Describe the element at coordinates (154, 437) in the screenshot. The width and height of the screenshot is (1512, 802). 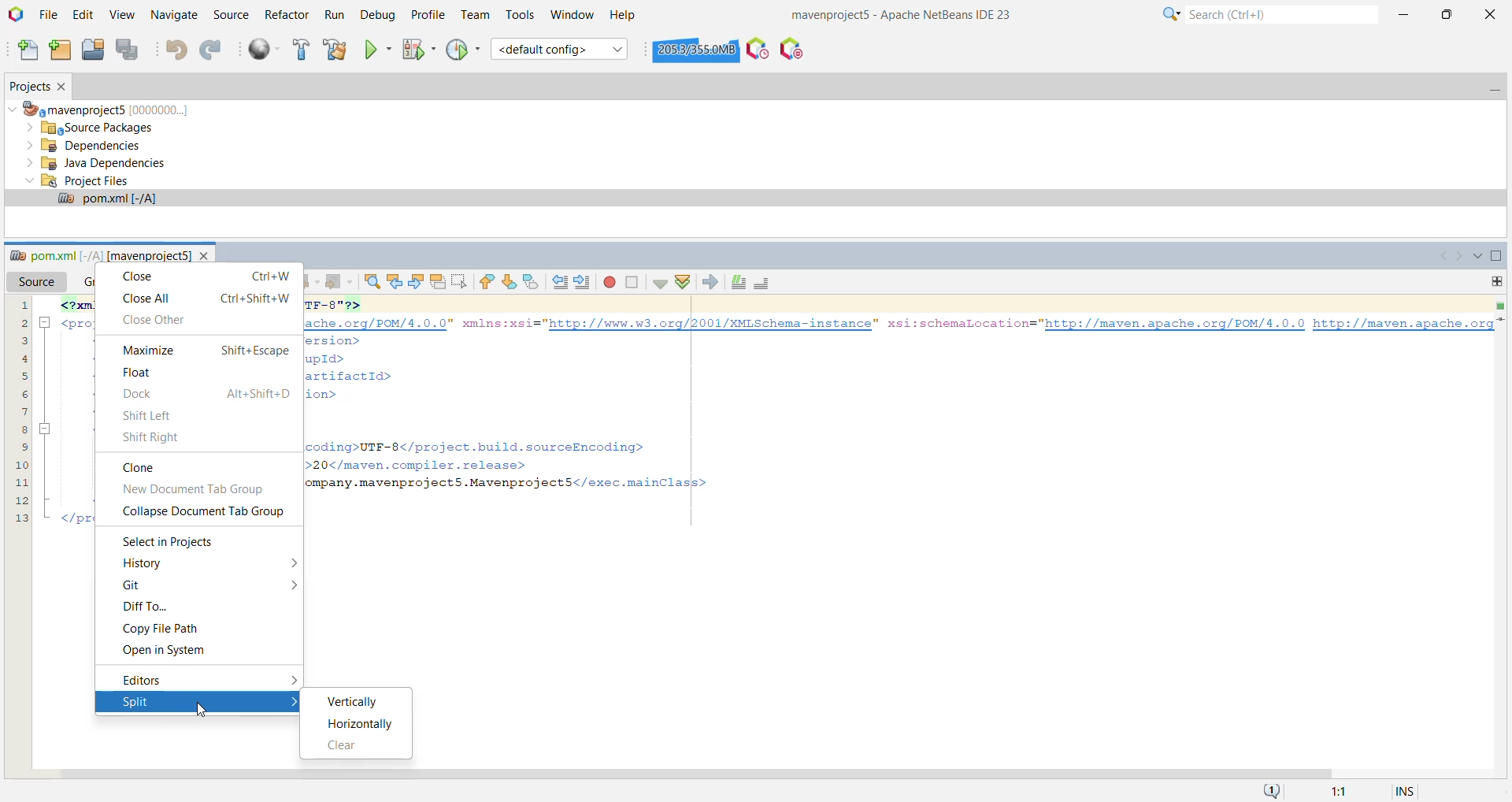
I see `Shift Right` at that location.